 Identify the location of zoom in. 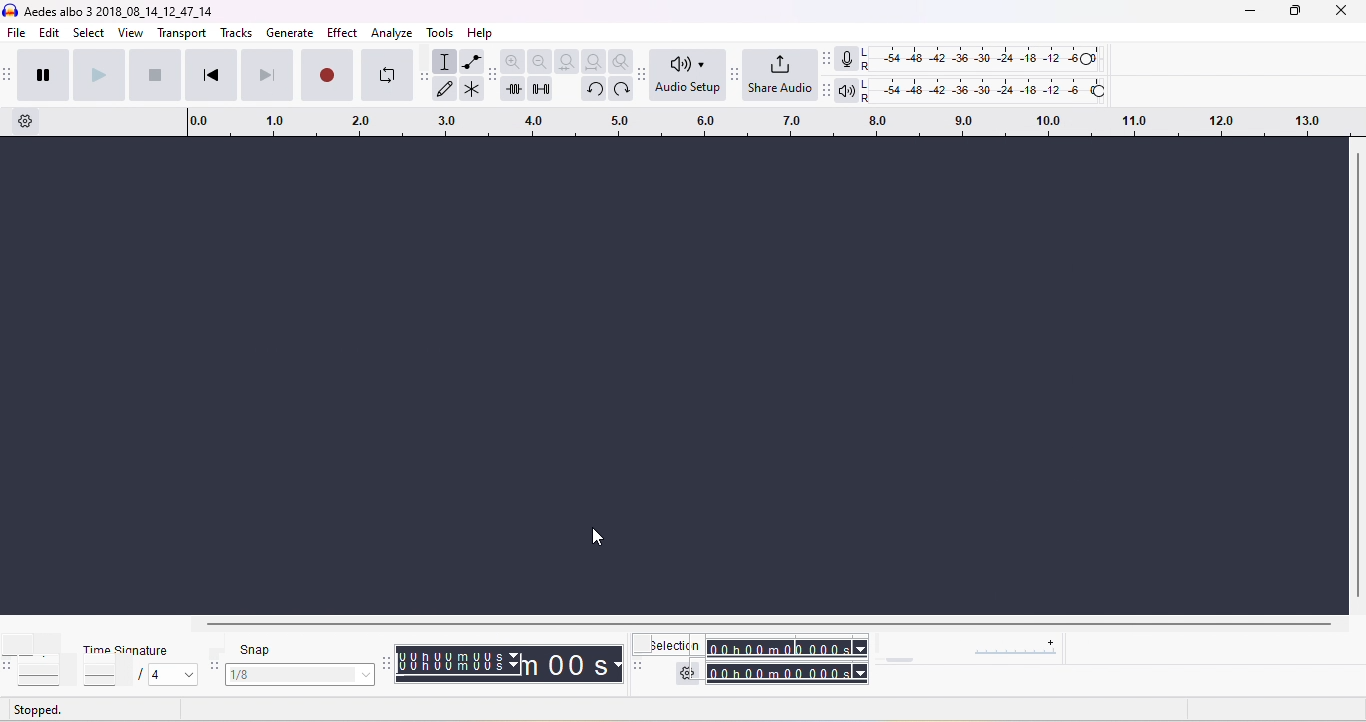
(513, 61).